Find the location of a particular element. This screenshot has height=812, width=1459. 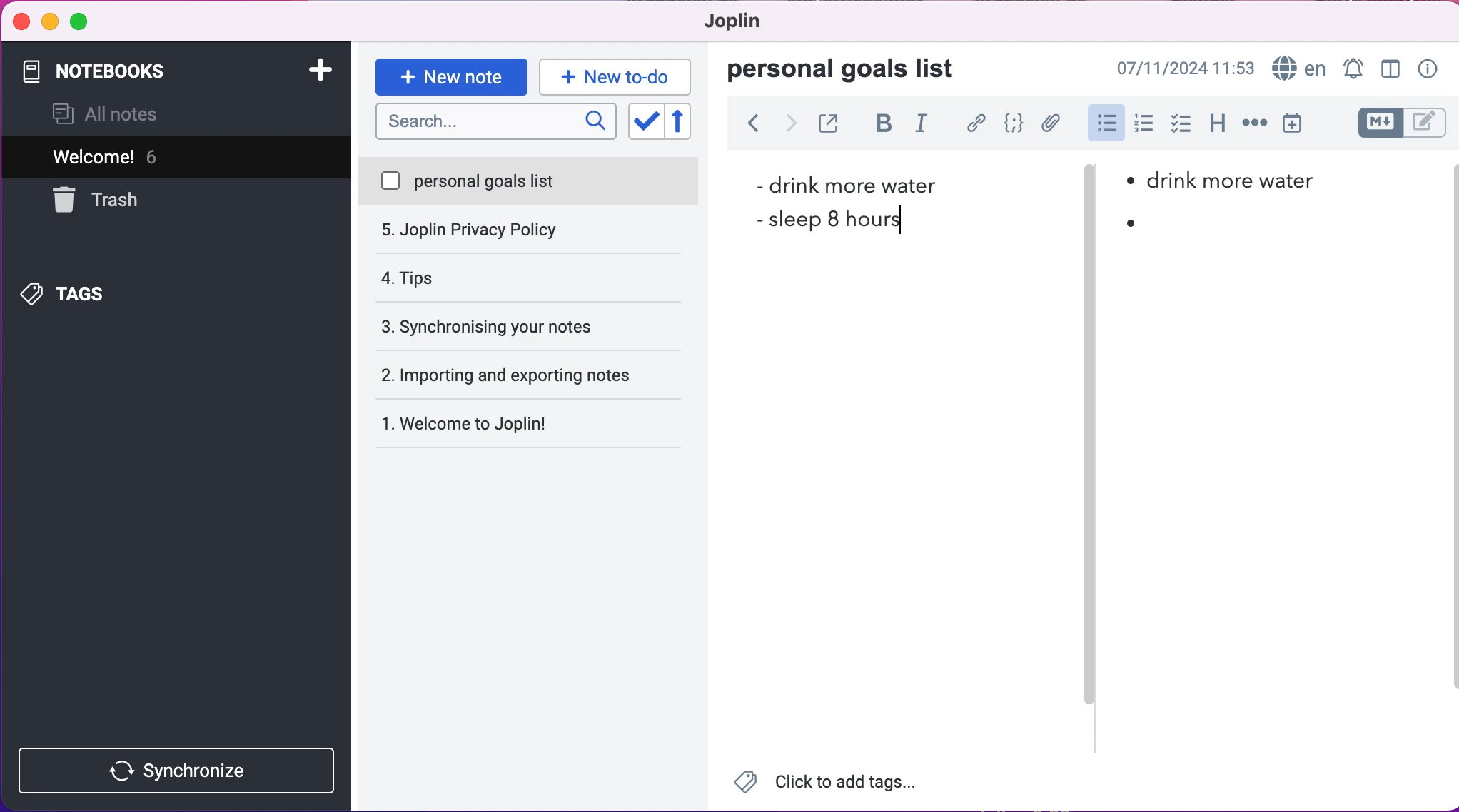

drink more water is located at coordinates (844, 184).